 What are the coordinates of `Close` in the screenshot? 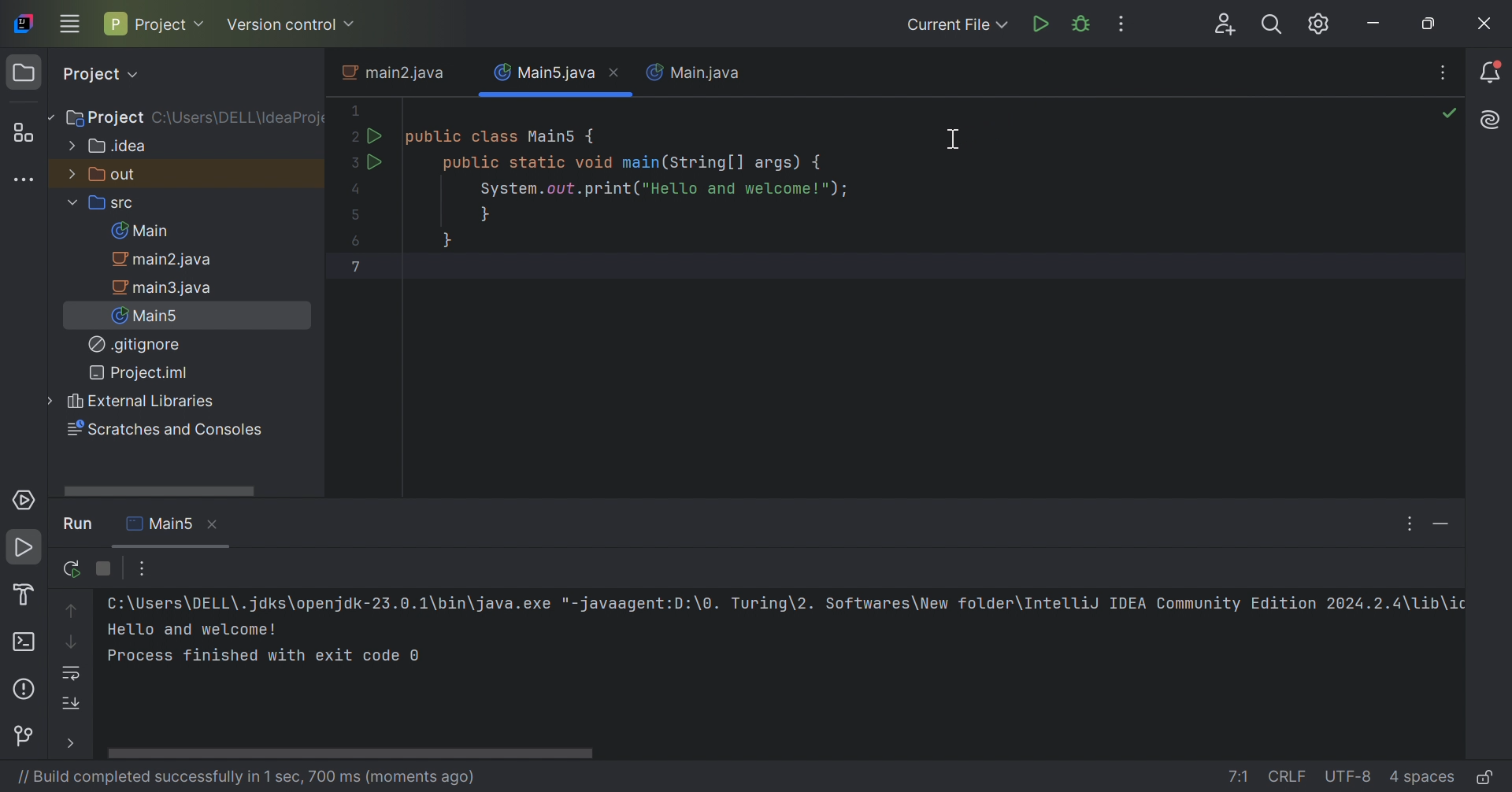 It's located at (620, 74).